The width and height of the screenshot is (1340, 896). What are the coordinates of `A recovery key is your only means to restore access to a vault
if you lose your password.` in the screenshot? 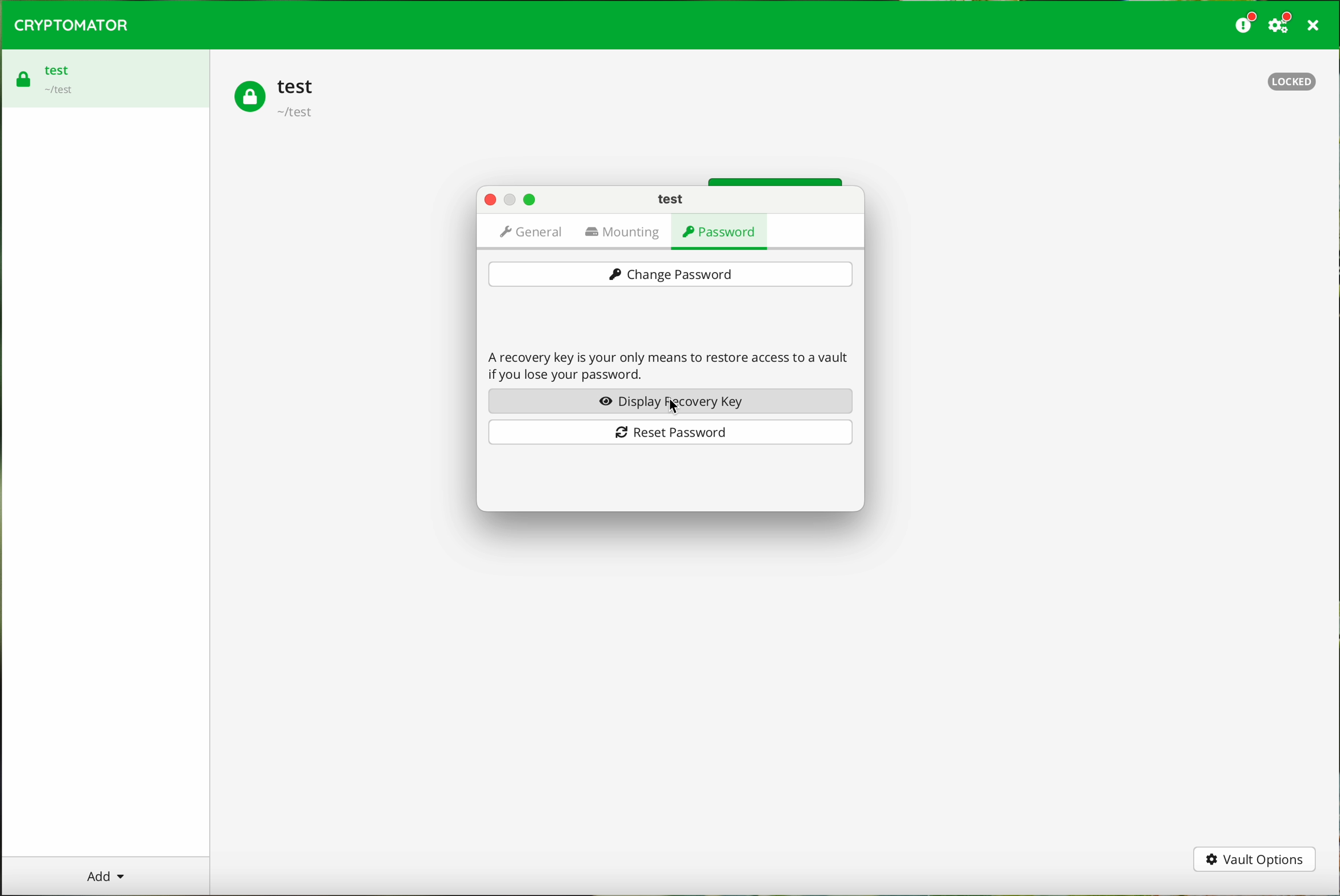 It's located at (667, 366).